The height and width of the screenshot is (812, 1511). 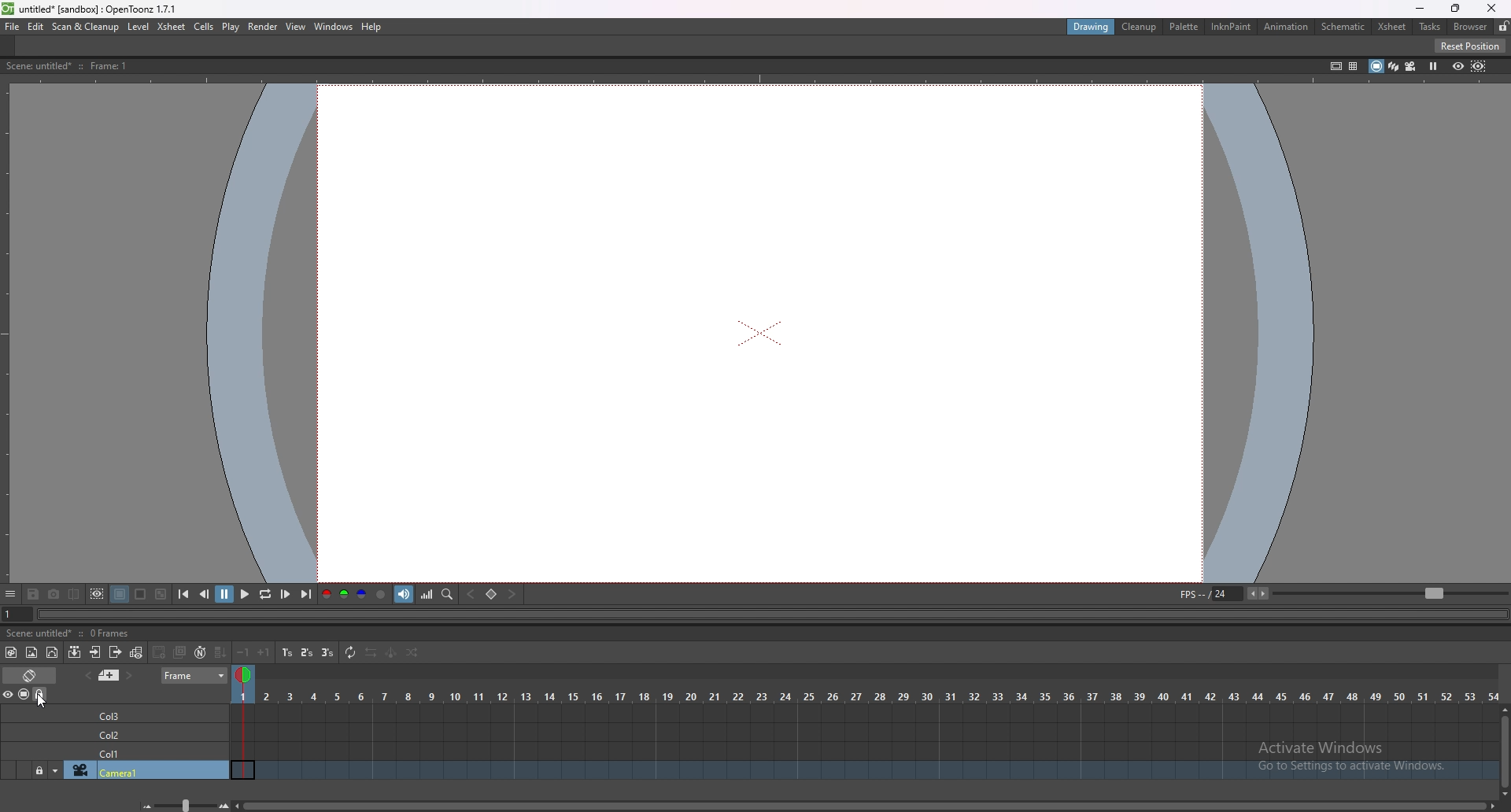 I want to click on lock, so click(x=41, y=695).